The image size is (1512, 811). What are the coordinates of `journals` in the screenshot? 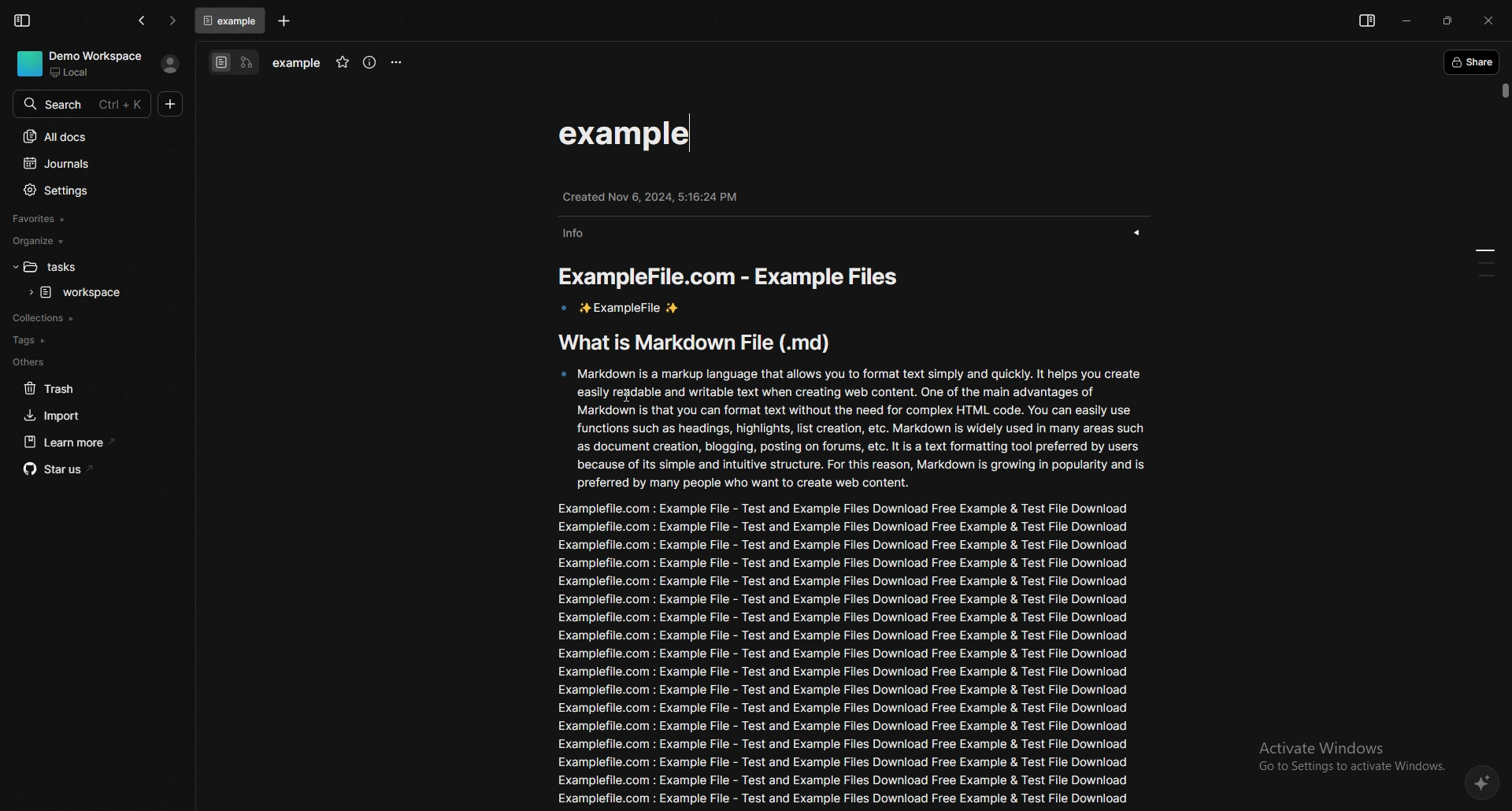 It's located at (90, 165).